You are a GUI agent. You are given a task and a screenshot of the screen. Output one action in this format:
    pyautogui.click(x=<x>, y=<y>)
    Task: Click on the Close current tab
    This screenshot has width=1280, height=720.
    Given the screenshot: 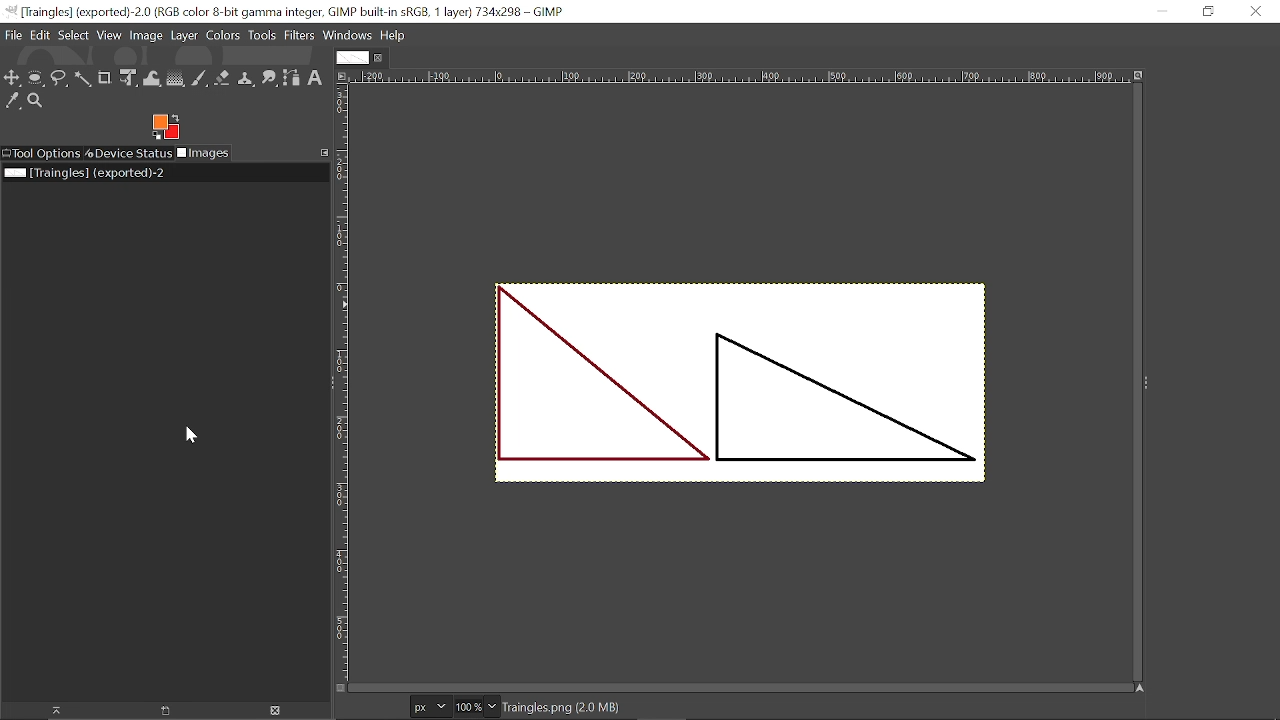 What is the action you would take?
    pyautogui.click(x=379, y=58)
    